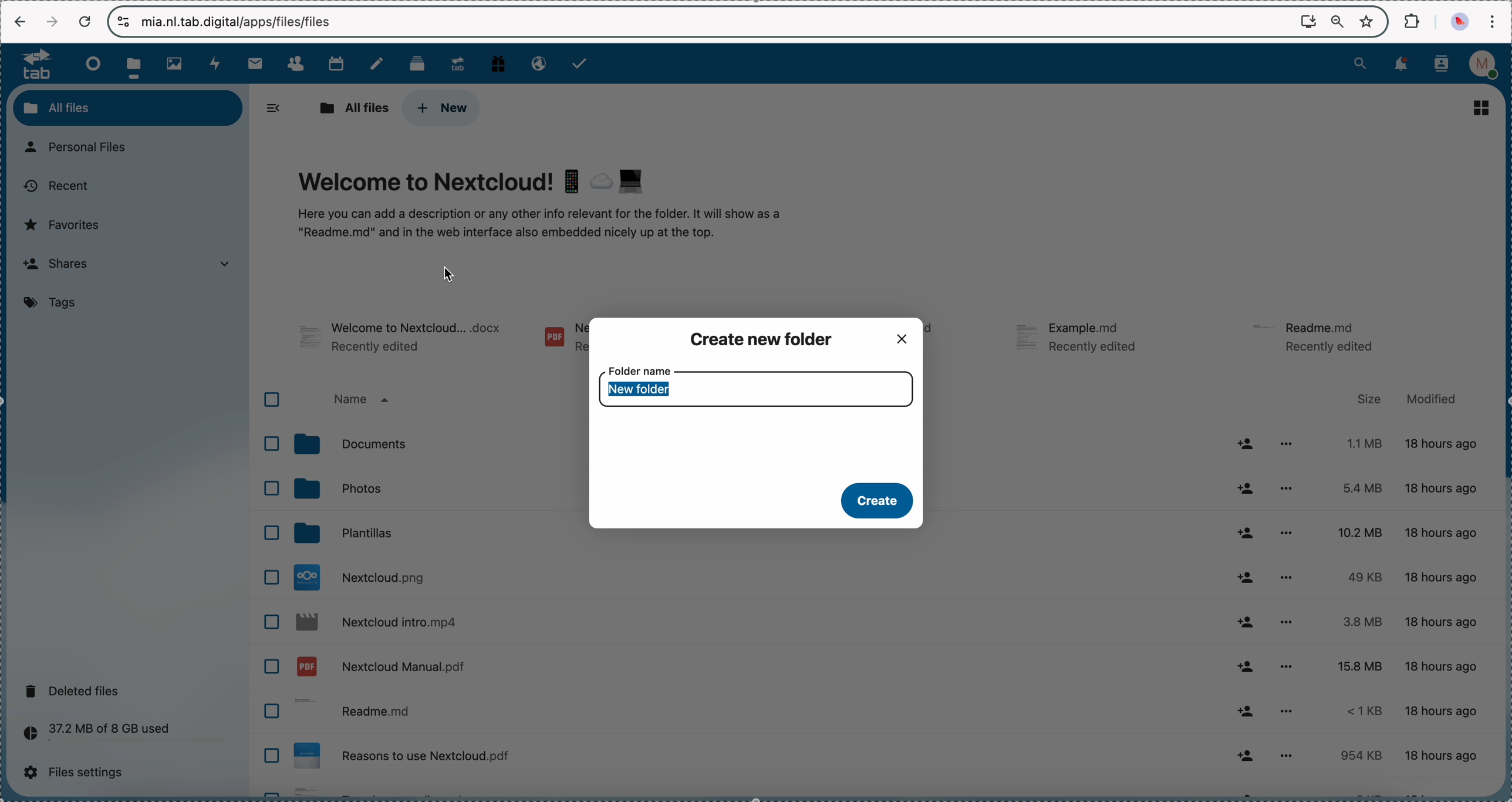  I want to click on file, so click(402, 339).